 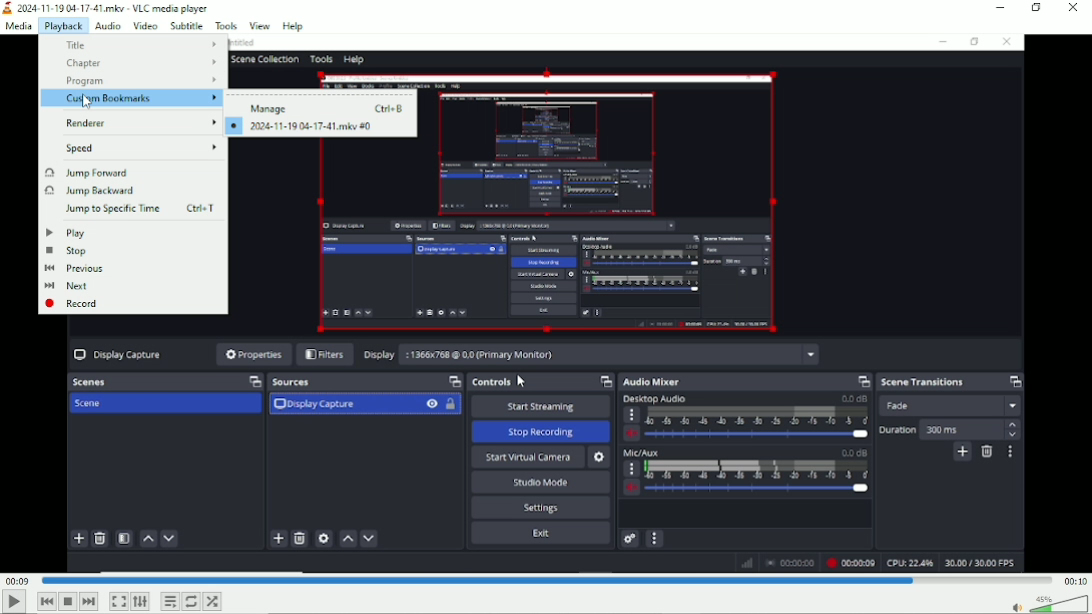 I want to click on Stop playlist, so click(x=68, y=602).